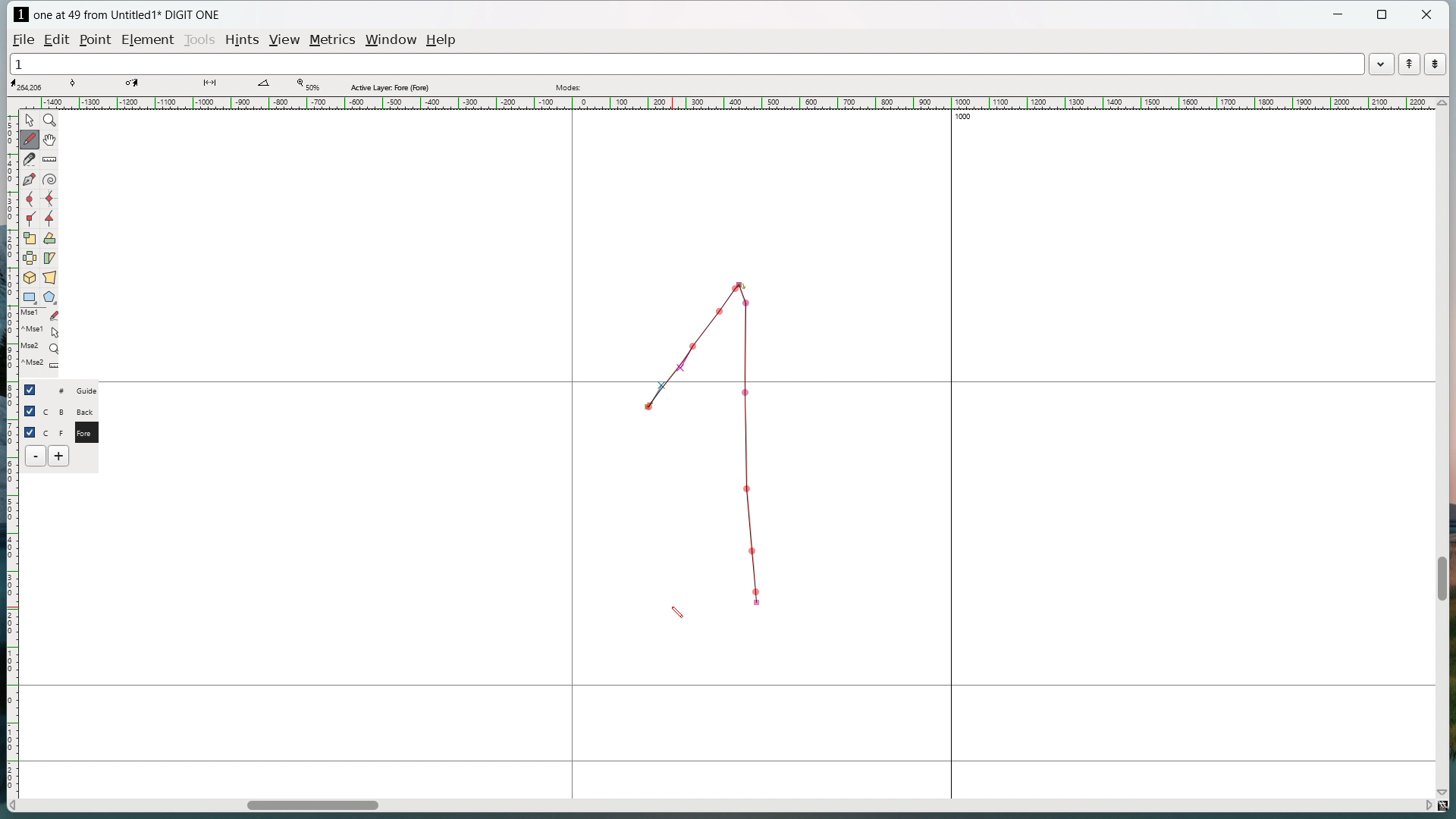 Image resolution: width=1456 pixels, height=819 pixels. What do you see at coordinates (307, 86) in the screenshot?
I see `Zoom level ` at bounding box center [307, 86].